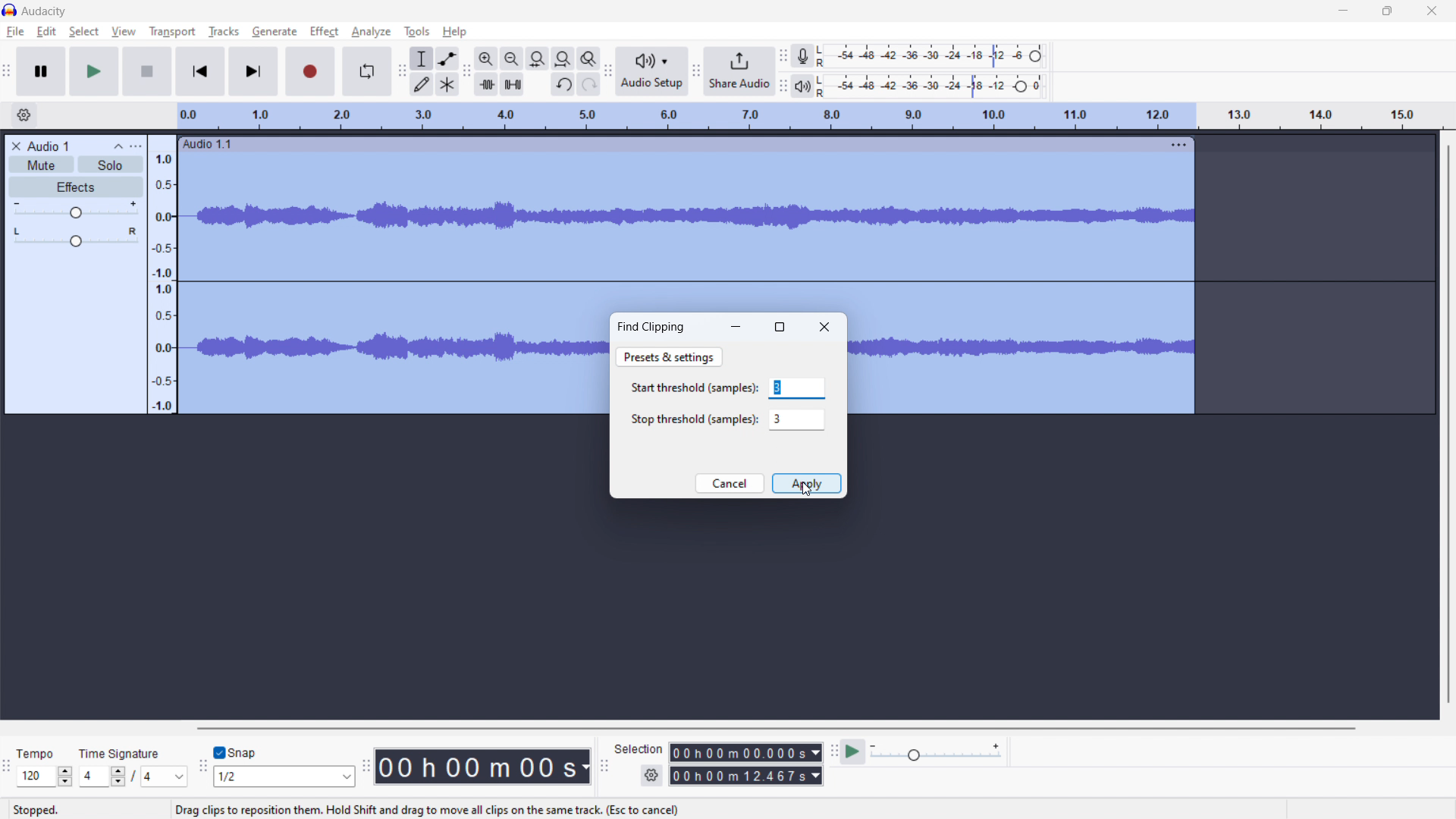  Describe the element at coordinates (84, 32) in the screenshot. I see `select` at that location.